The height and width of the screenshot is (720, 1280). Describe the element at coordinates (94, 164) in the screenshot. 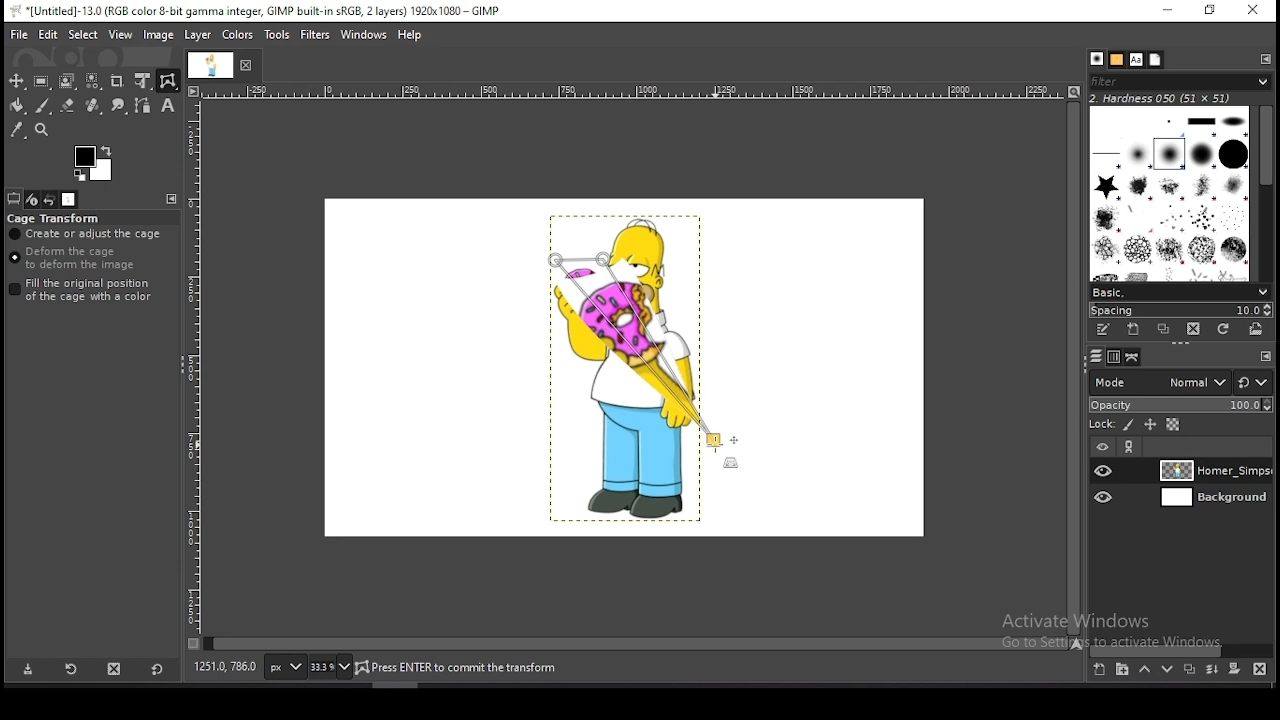

I see `colors` at that location.